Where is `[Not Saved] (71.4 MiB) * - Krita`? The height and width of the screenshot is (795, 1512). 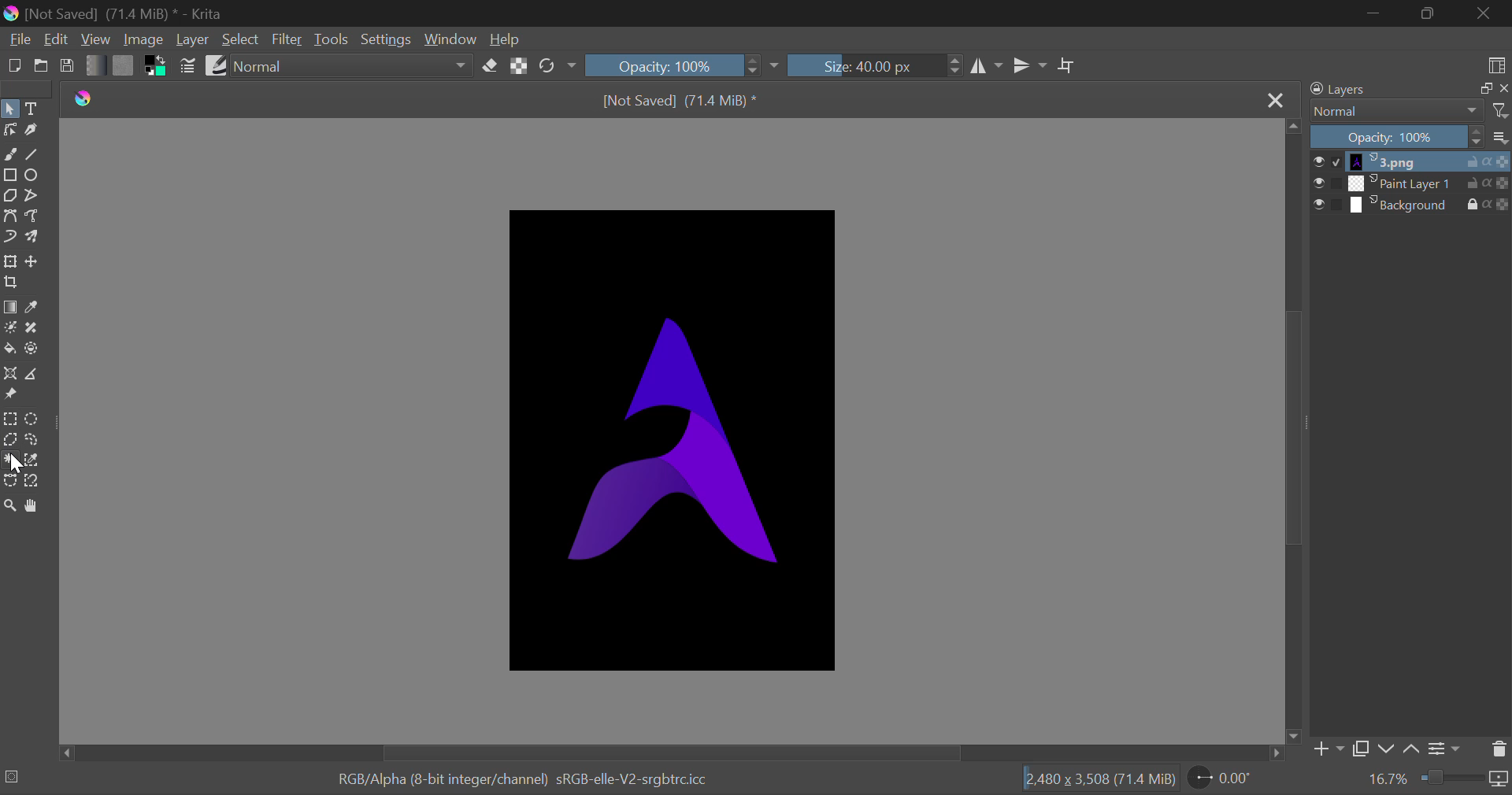 [Not Saved] (71.4 MiB) * - Krita is located at coordinates (126, 13).